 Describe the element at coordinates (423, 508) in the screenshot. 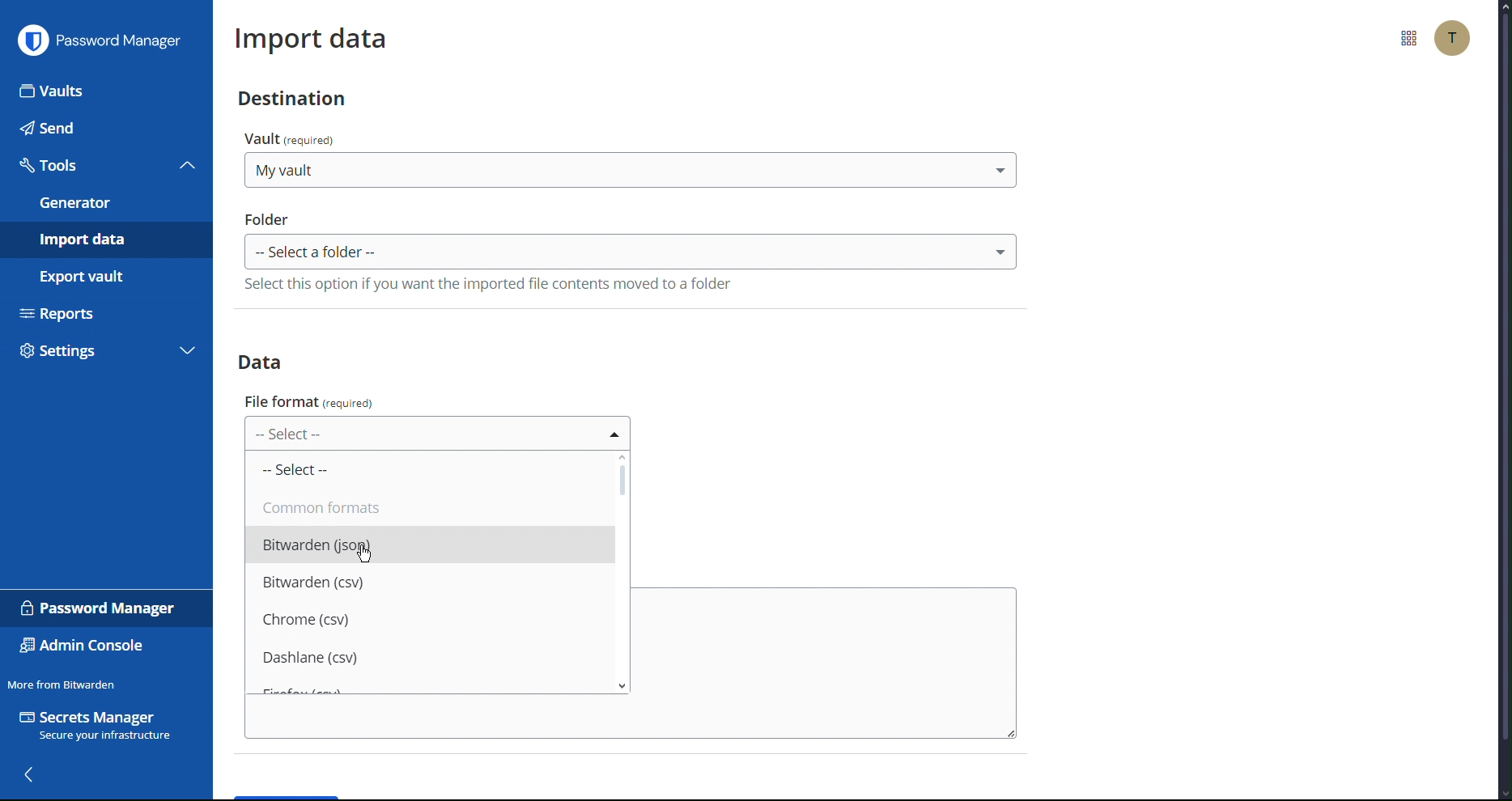

I see `Common formats` at that location.